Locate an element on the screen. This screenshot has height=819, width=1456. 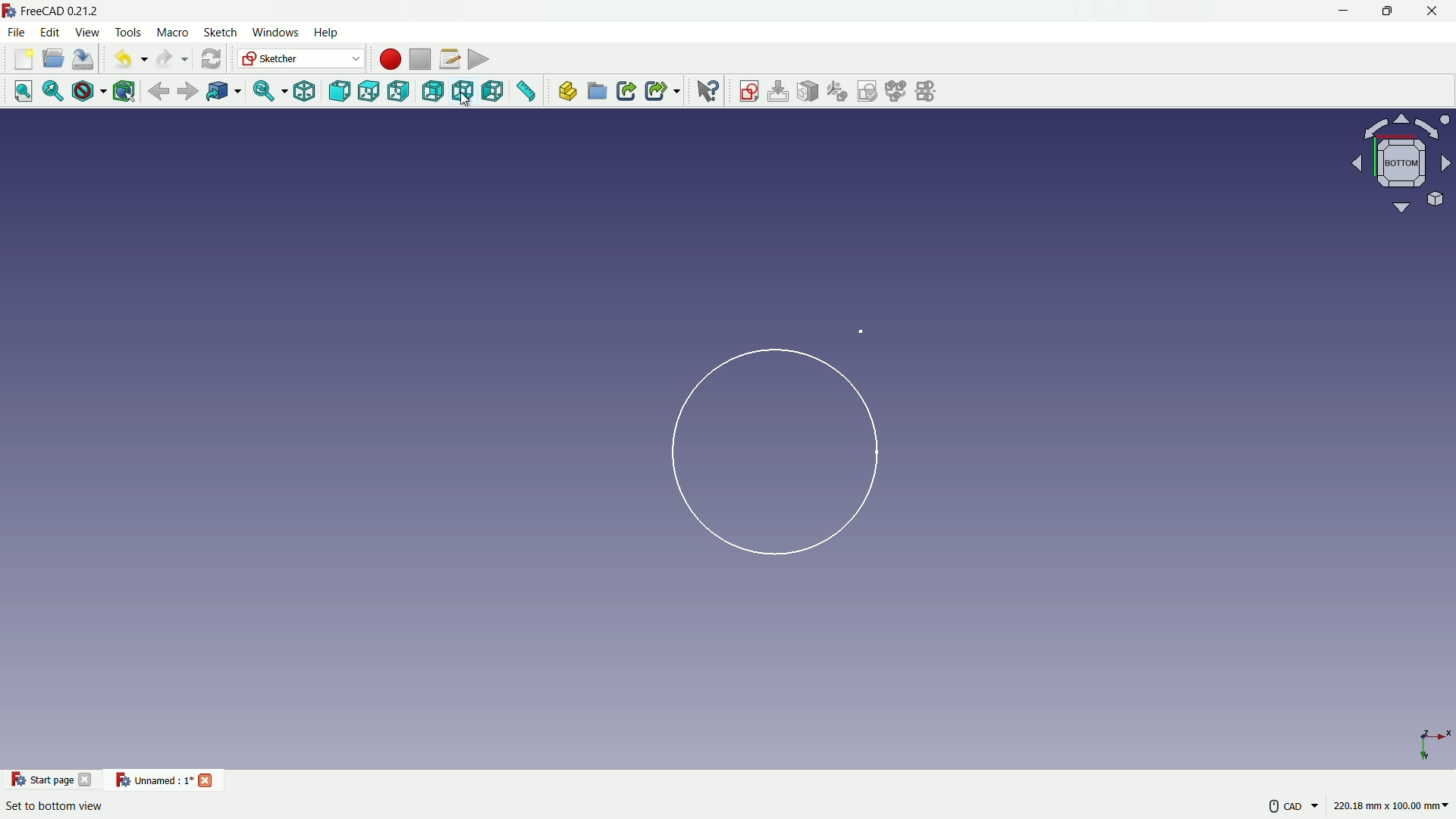
edit menu is located at coordinates (51, 33).